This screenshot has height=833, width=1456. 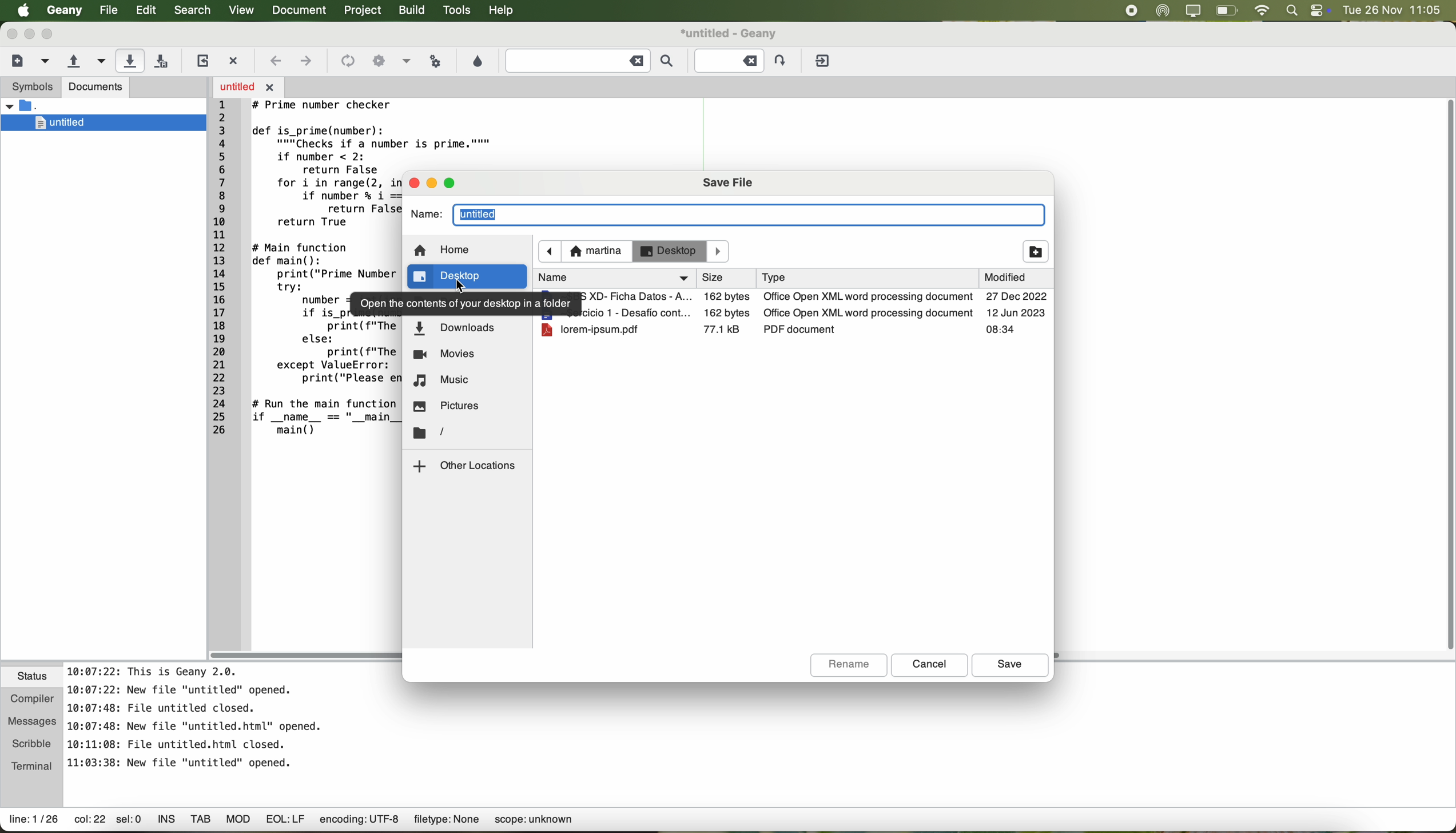 I want to click on navigate foward, so click(x=307, y=63).